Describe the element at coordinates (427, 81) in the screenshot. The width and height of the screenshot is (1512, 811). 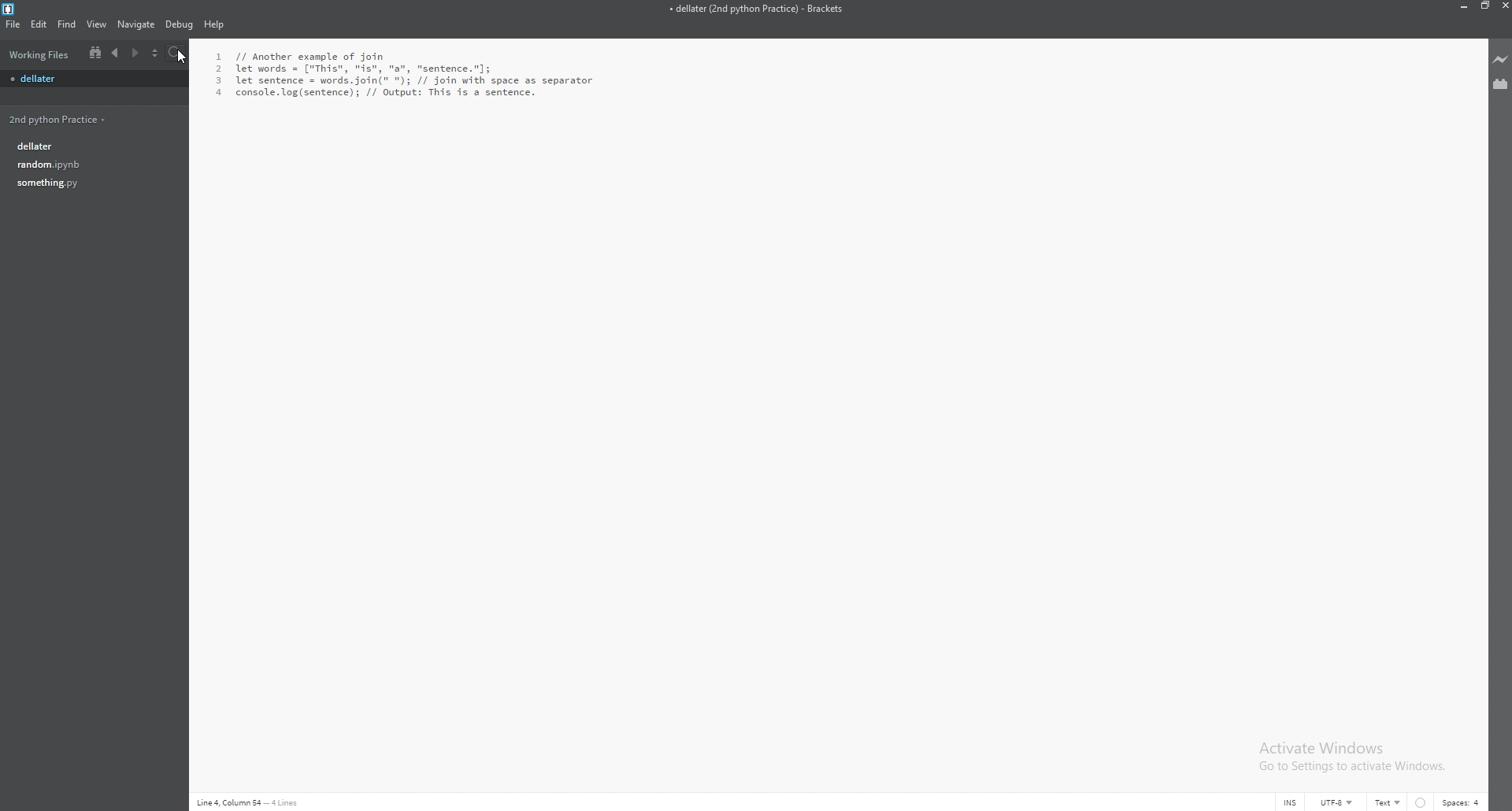
I see `L // Another example of join

let words = ["This", "is", "a", "sentence."];

let sentence = words.join(" "); // join with space as separator
console. log(sentence); // Output: This is a sentence.` at that location.